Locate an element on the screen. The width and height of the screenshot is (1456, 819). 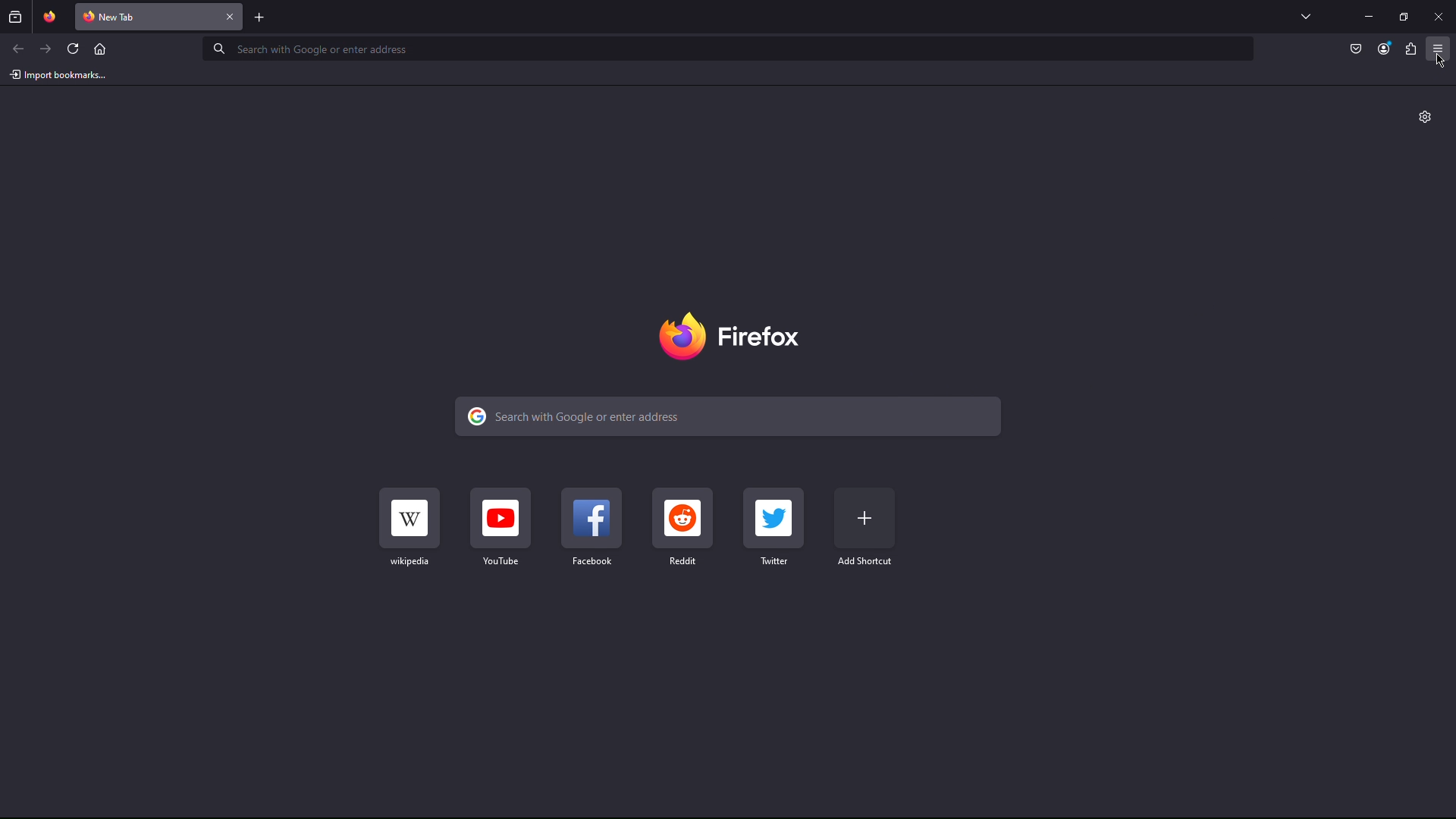
Reddit is located at coordinates (683, 527).